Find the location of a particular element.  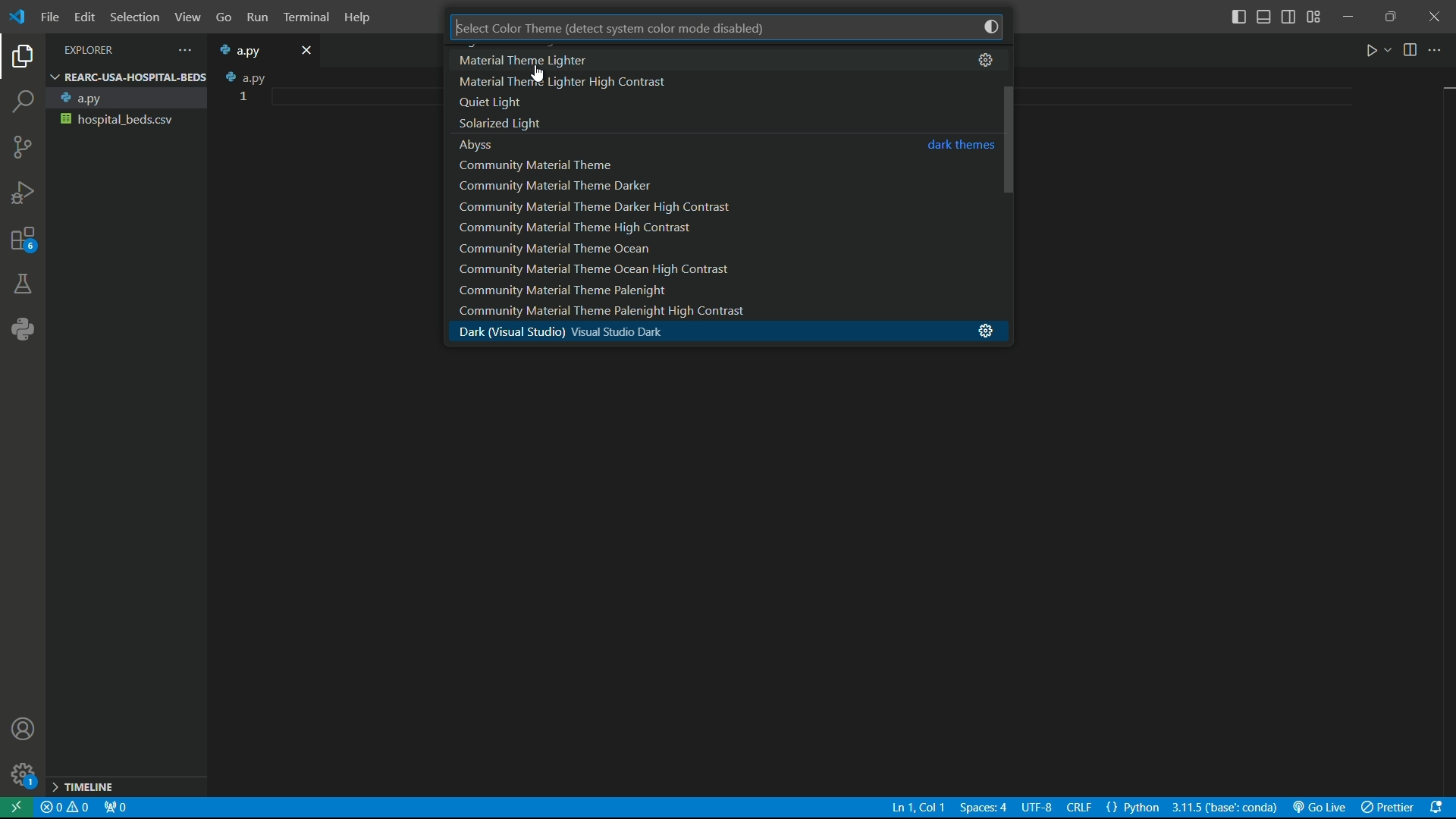

CRLF is located at coordinates (1065, 808).